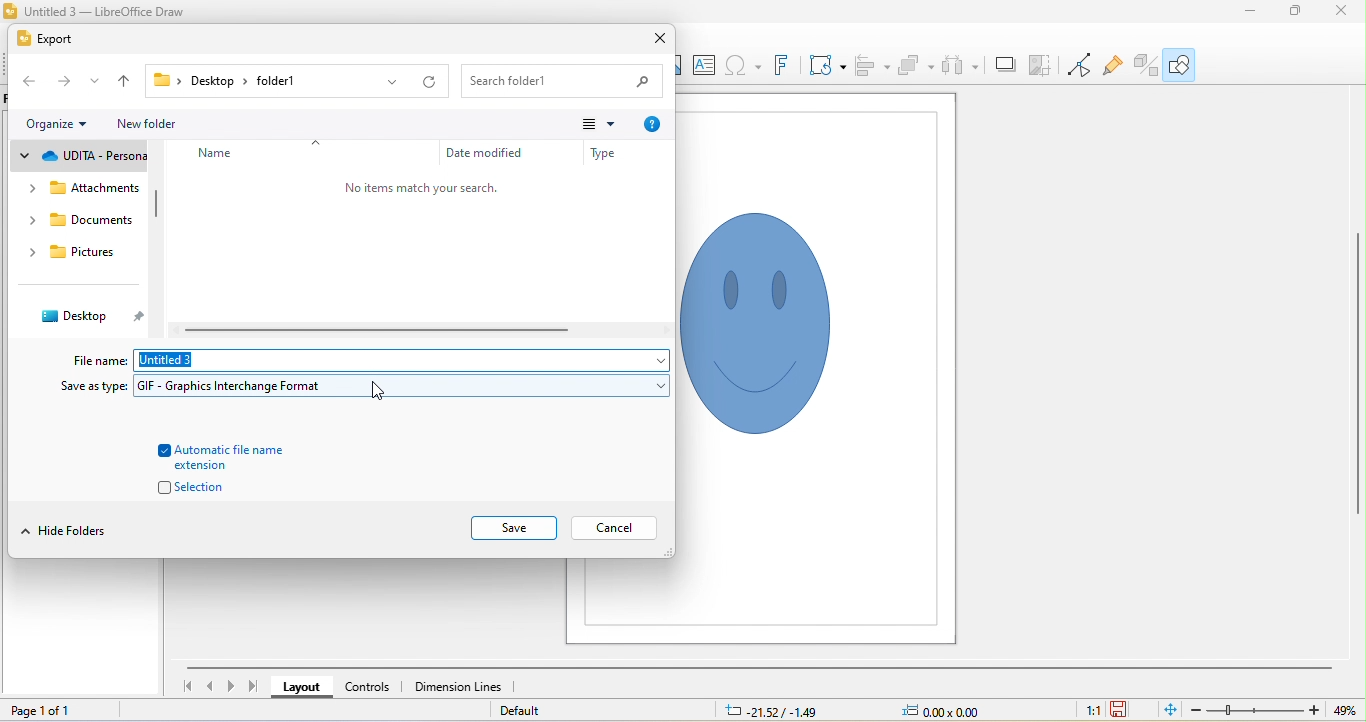 Image resolution: width=1366 pixels, height=722 pixels. What do you see at coordinates (254, 685) in the screenshot?
I see `last ` at bounding box center [254, 685].